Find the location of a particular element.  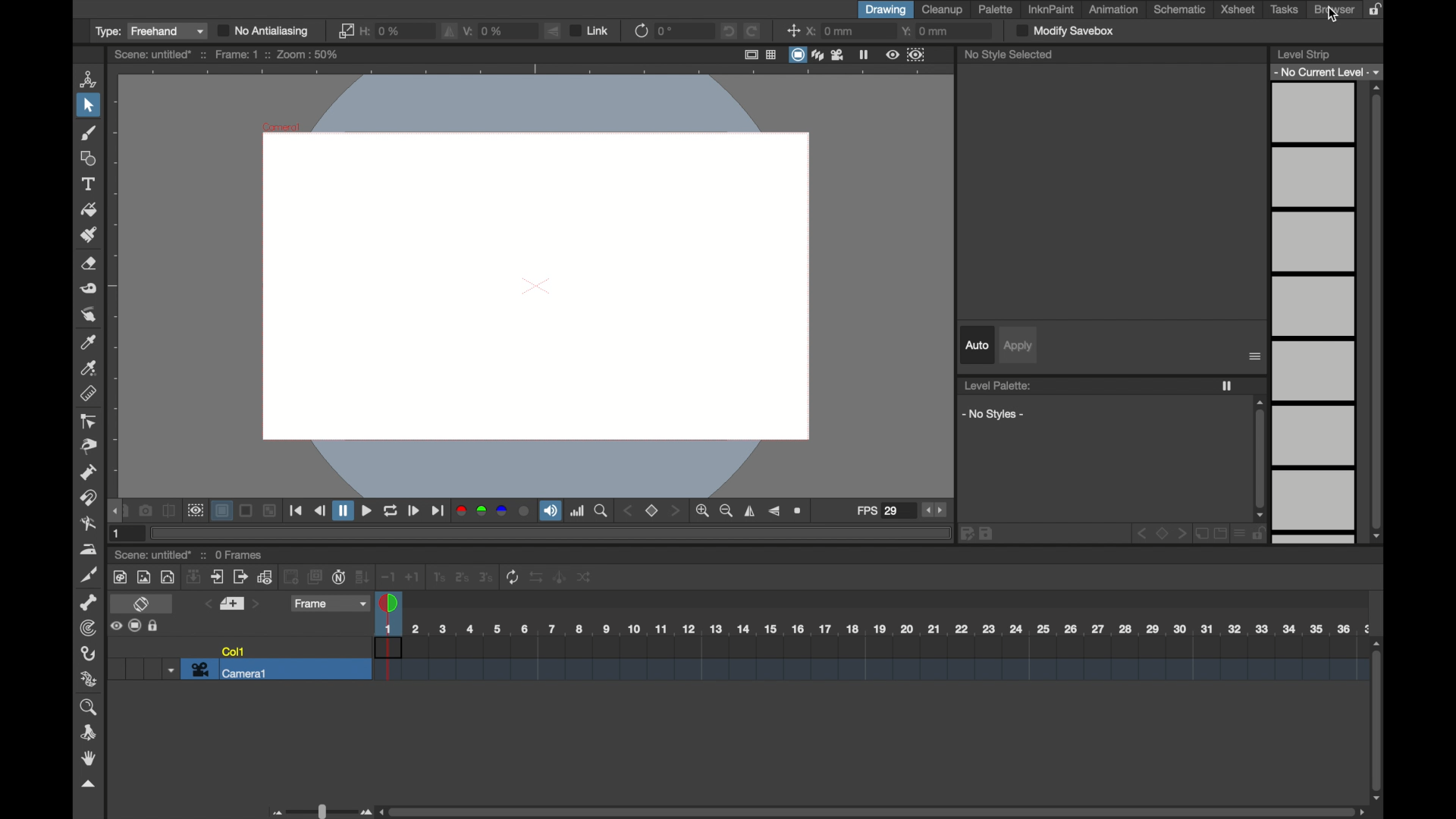

browser is located at coordinates (1335, 10).